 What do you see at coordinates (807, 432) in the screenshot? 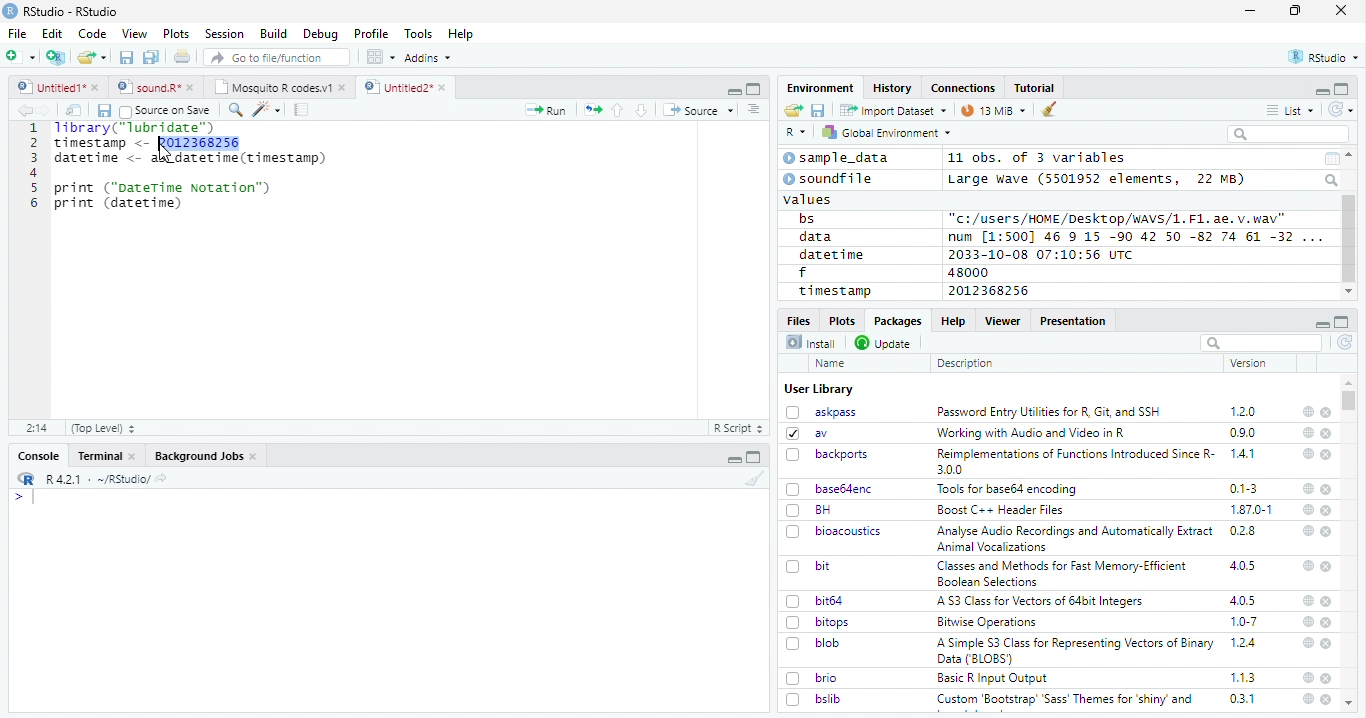
I see `av` at bounding box center [807, 432].